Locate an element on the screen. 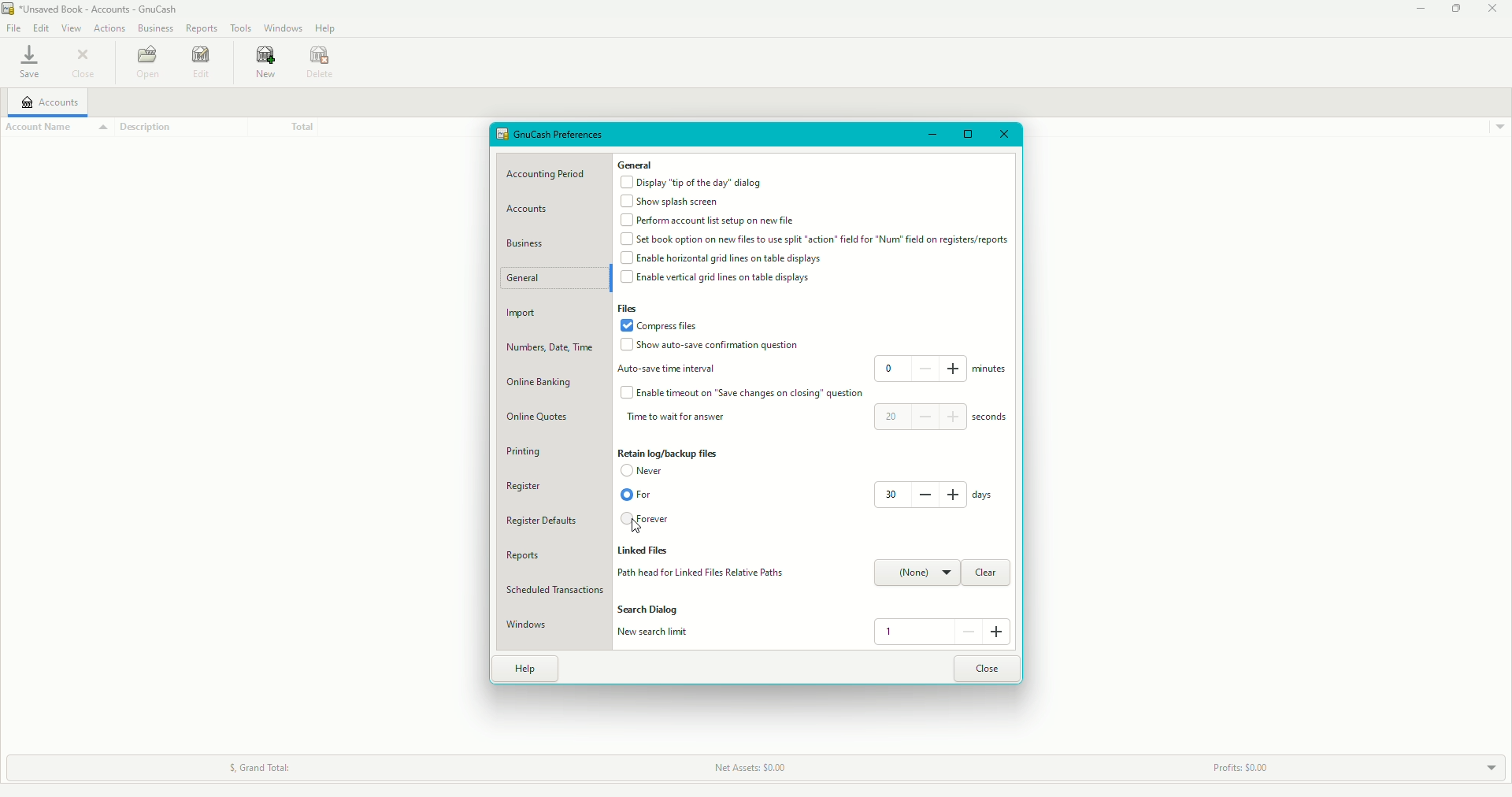 The image size is (1512, 797). View is located at coordinates (69, 28).